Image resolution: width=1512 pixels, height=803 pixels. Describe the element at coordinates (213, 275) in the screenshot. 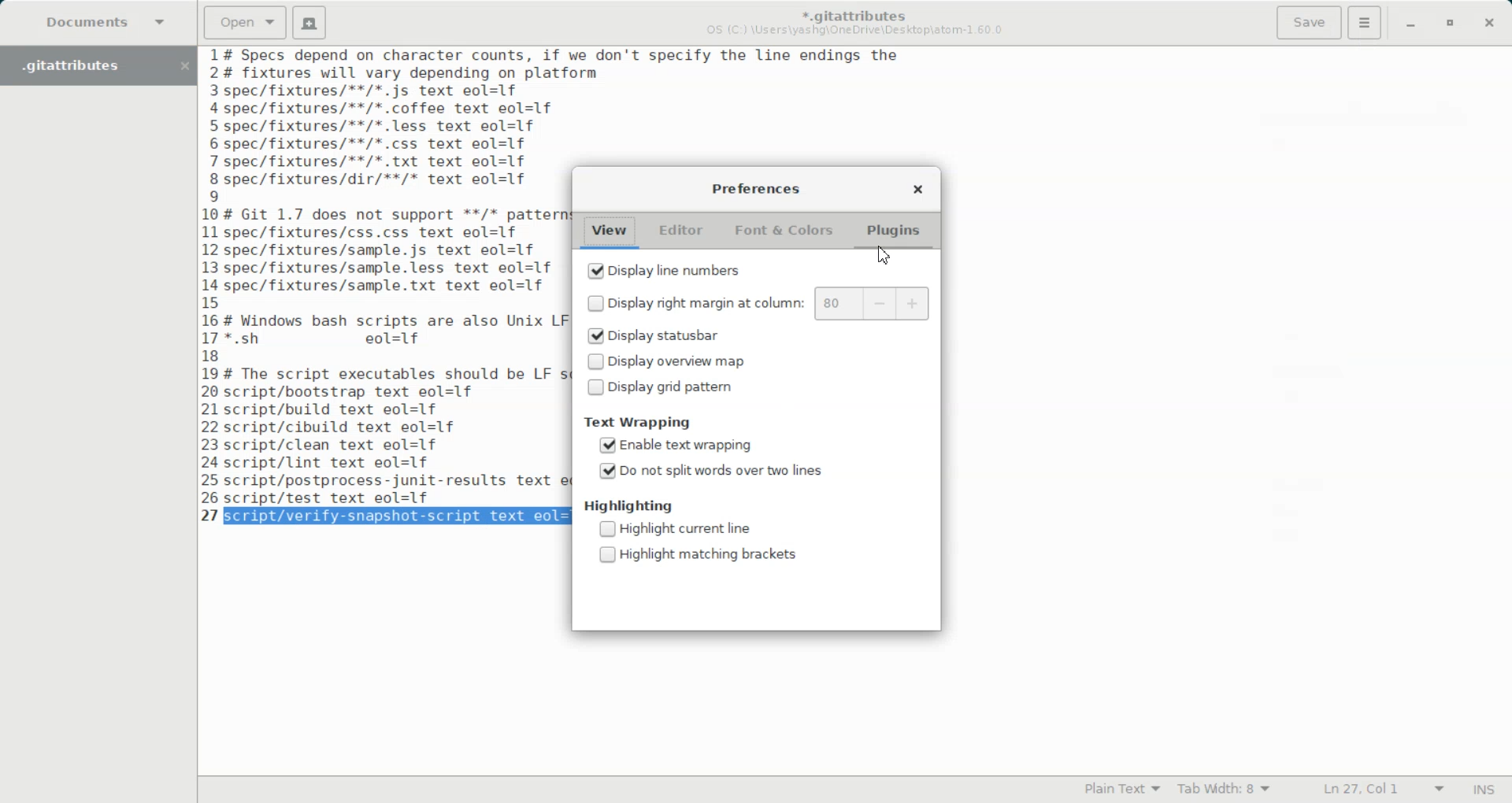

I see `text line number` at that location.